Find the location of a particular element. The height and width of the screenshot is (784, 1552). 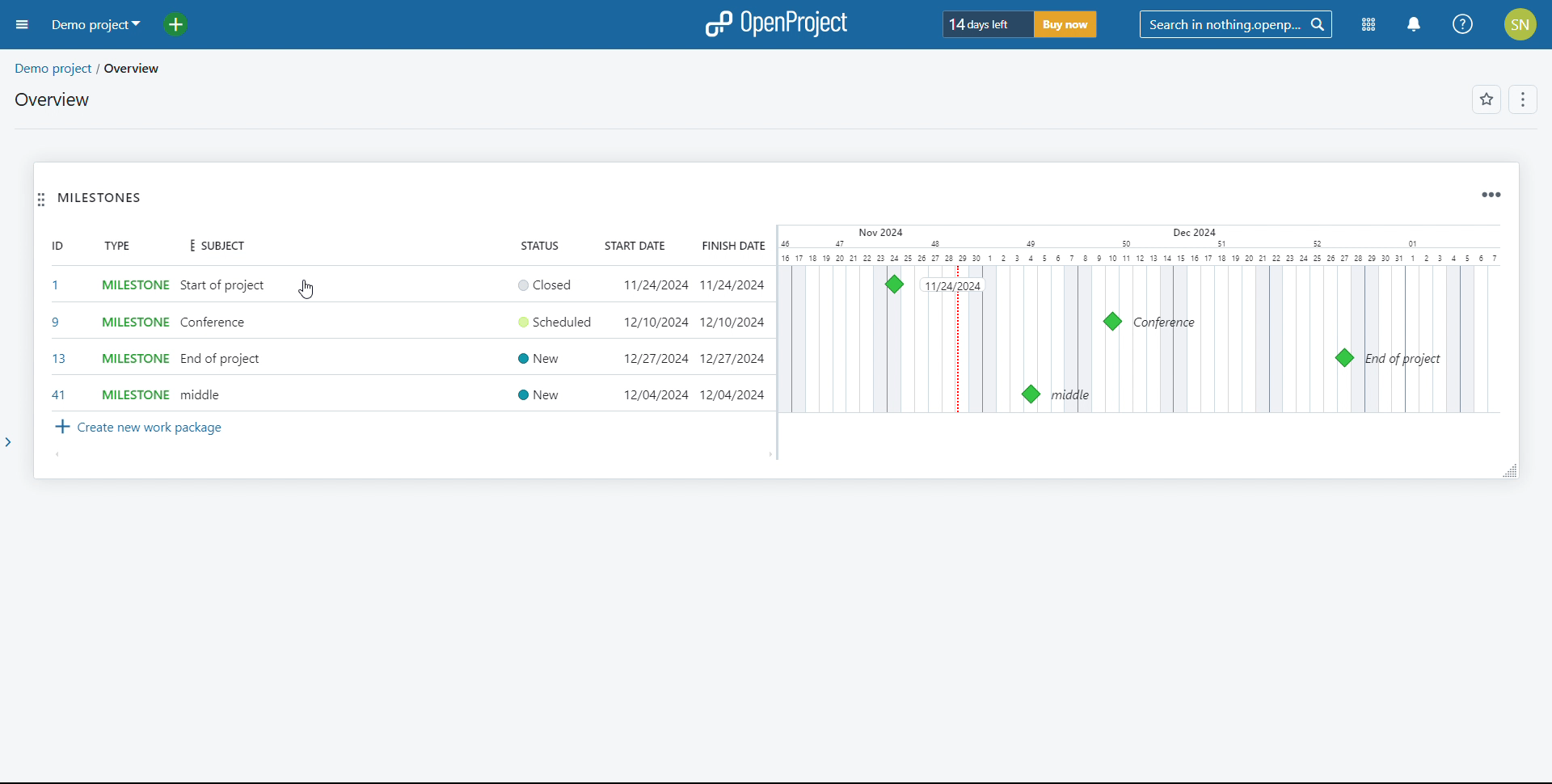

MILESTONE is located at coordinates (129, 358).